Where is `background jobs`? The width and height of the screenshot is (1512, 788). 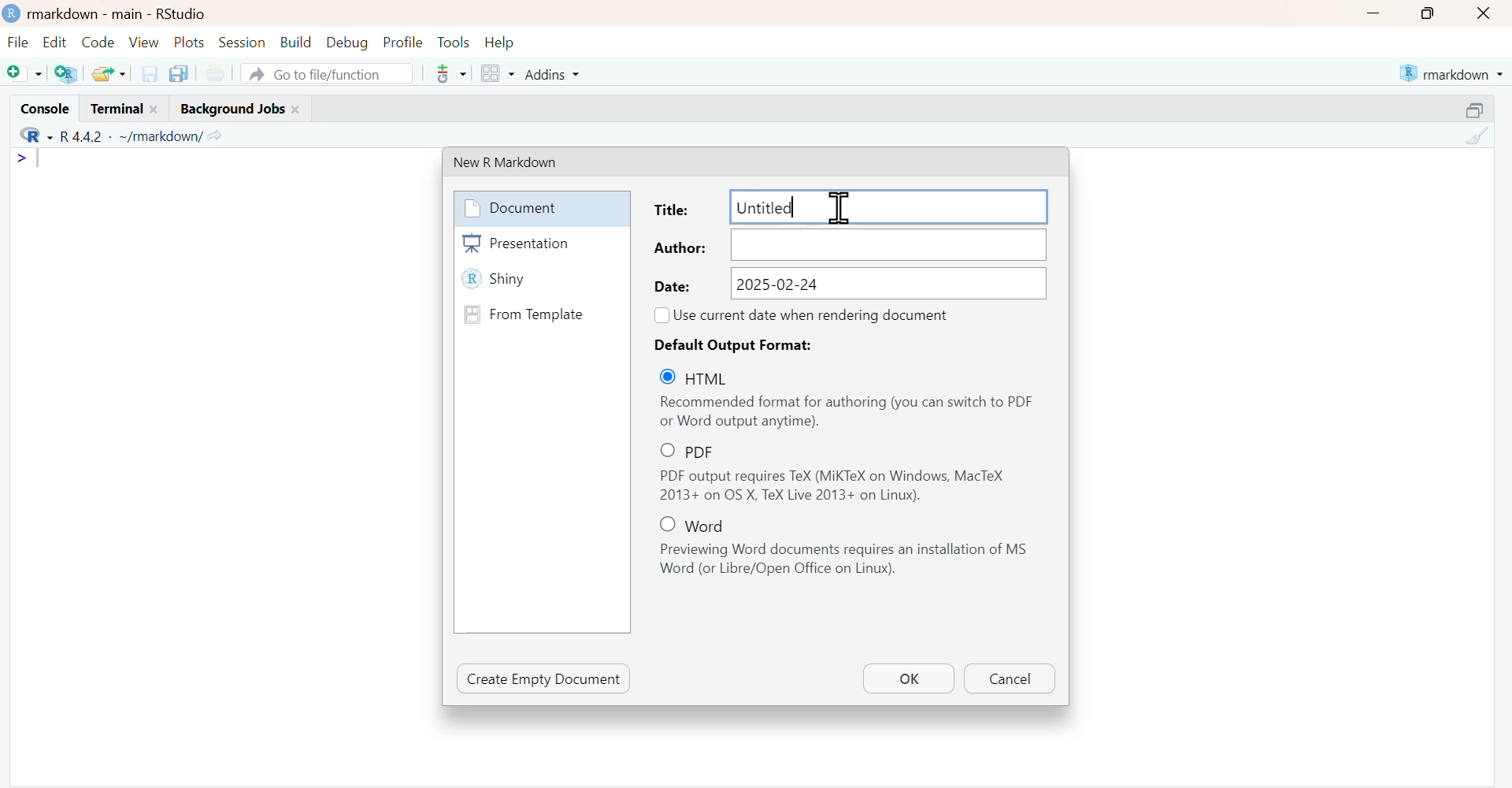
background jobs is located at coordinates (236, 110).